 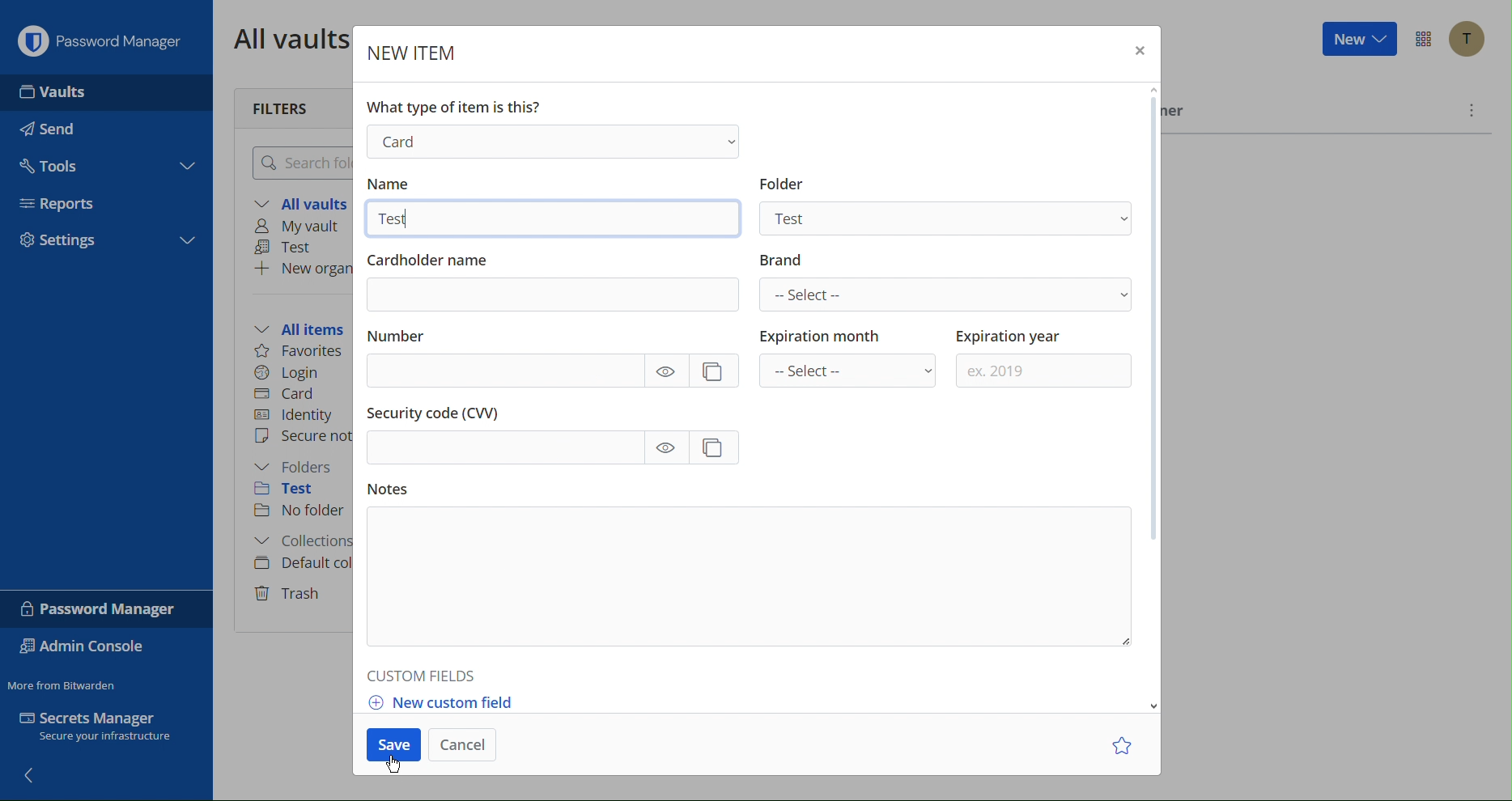 I want to click on Notes, so click(x=389, y=489).